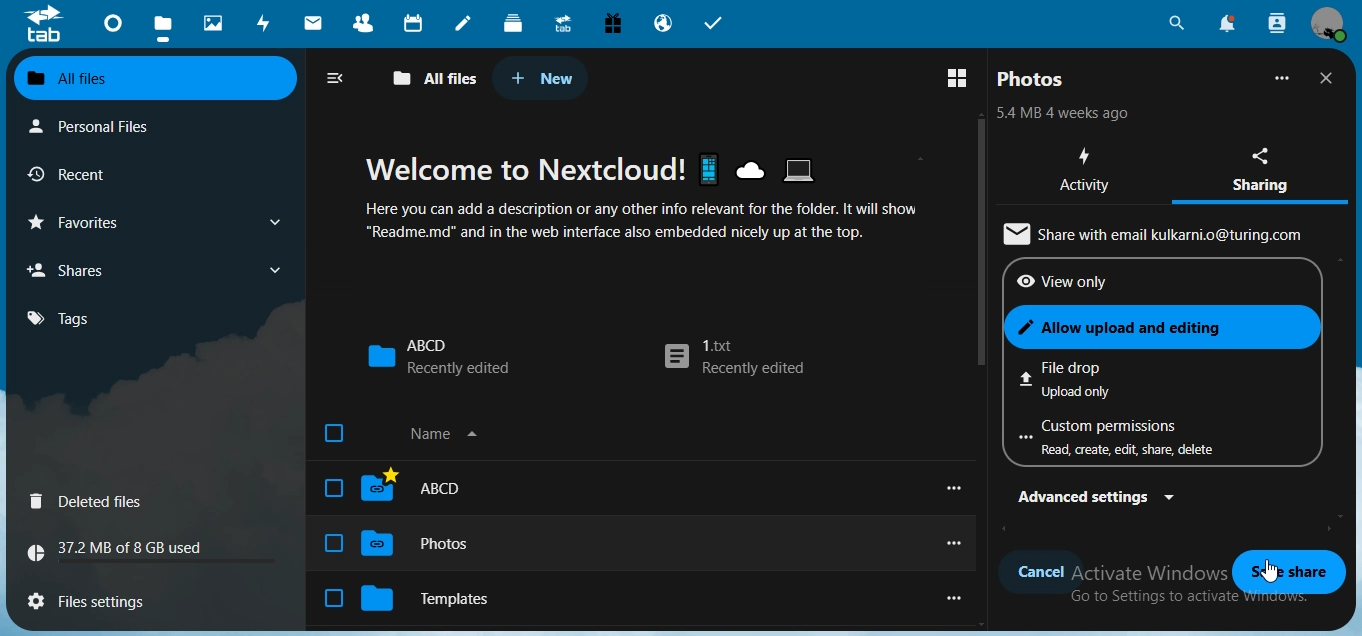 This screenshot has width=1362, height=636. What do you see at coordinates (106, 125) in the screenshot?
I see `personal files` at bounding box center [106, 125].